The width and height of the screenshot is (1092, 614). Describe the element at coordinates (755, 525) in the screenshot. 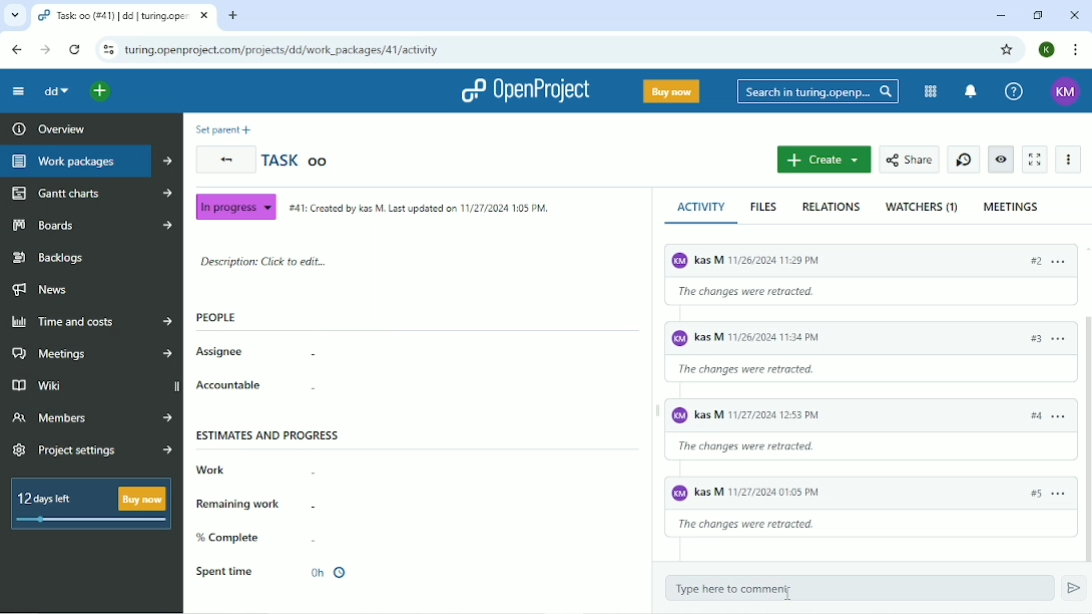

I see `The changes were retracted` at that location.